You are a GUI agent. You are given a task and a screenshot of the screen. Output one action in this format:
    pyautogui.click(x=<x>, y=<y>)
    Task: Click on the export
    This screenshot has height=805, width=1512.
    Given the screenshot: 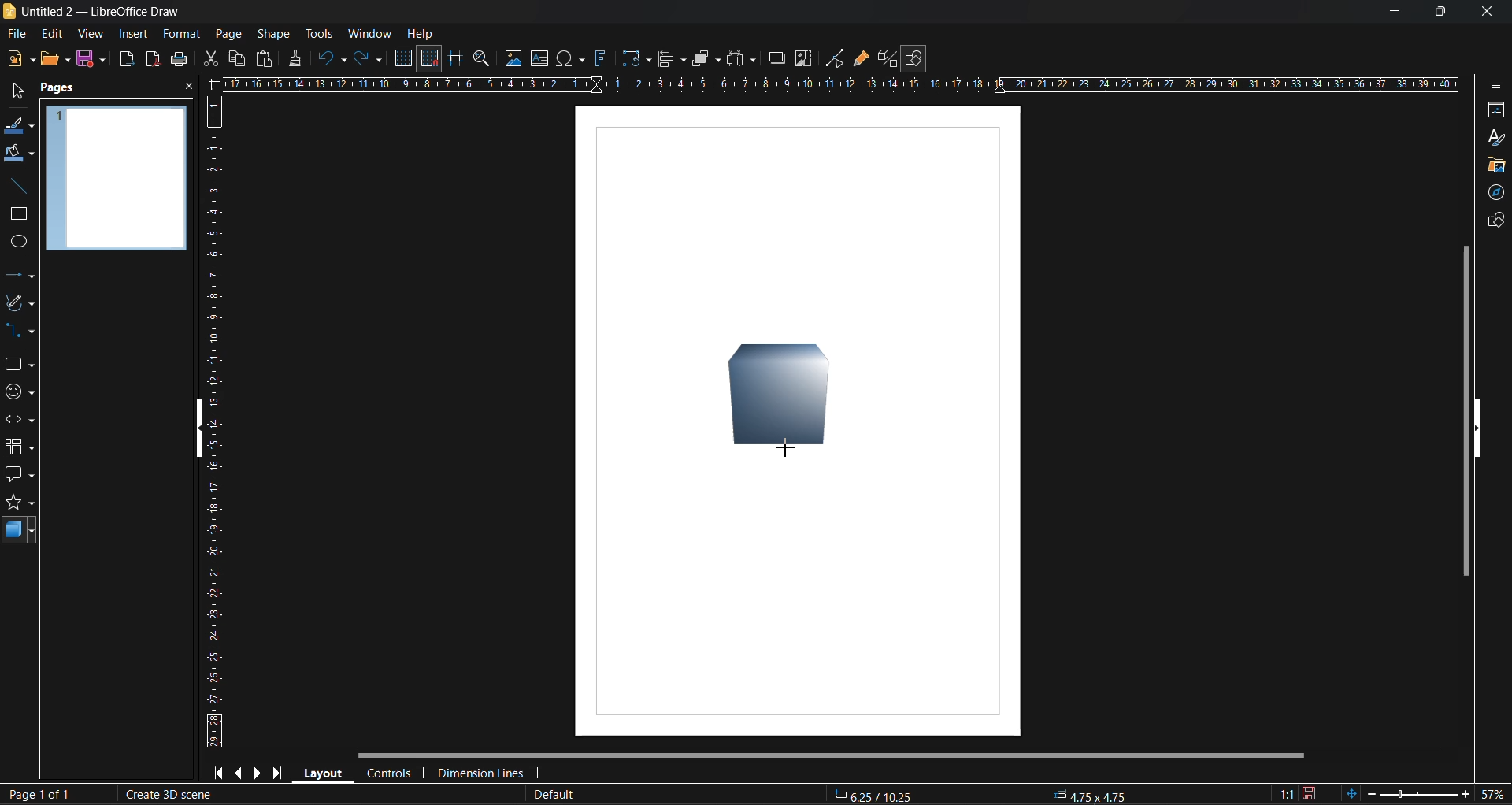 What is the action you would take?
    pyautogui.click(x=128, y=61)
    